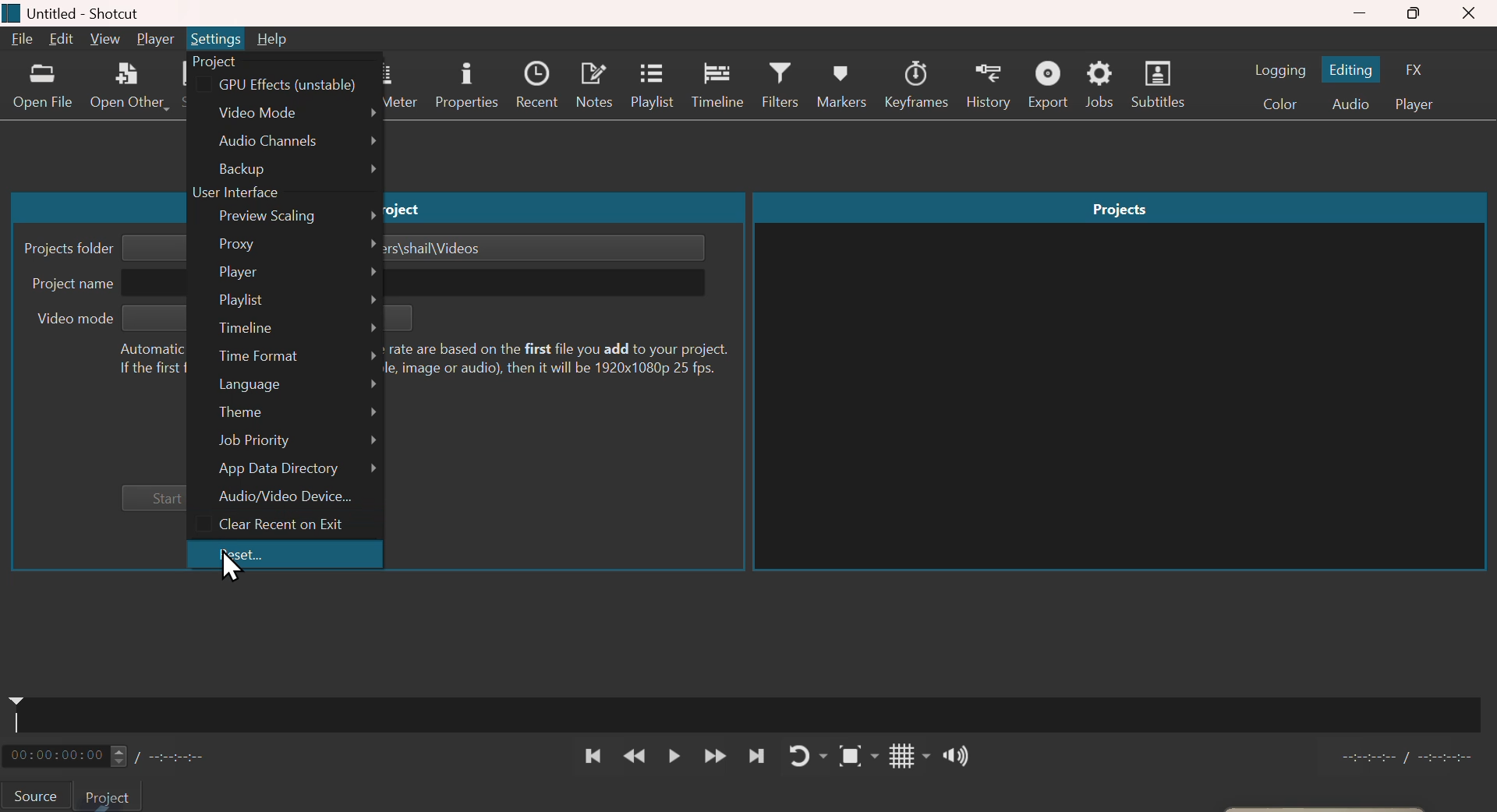 The width and height of the screenshot is (1497, 812). Describe the element at coordinates (947, 757) in the screenshot. I see `Speaker` at that location.